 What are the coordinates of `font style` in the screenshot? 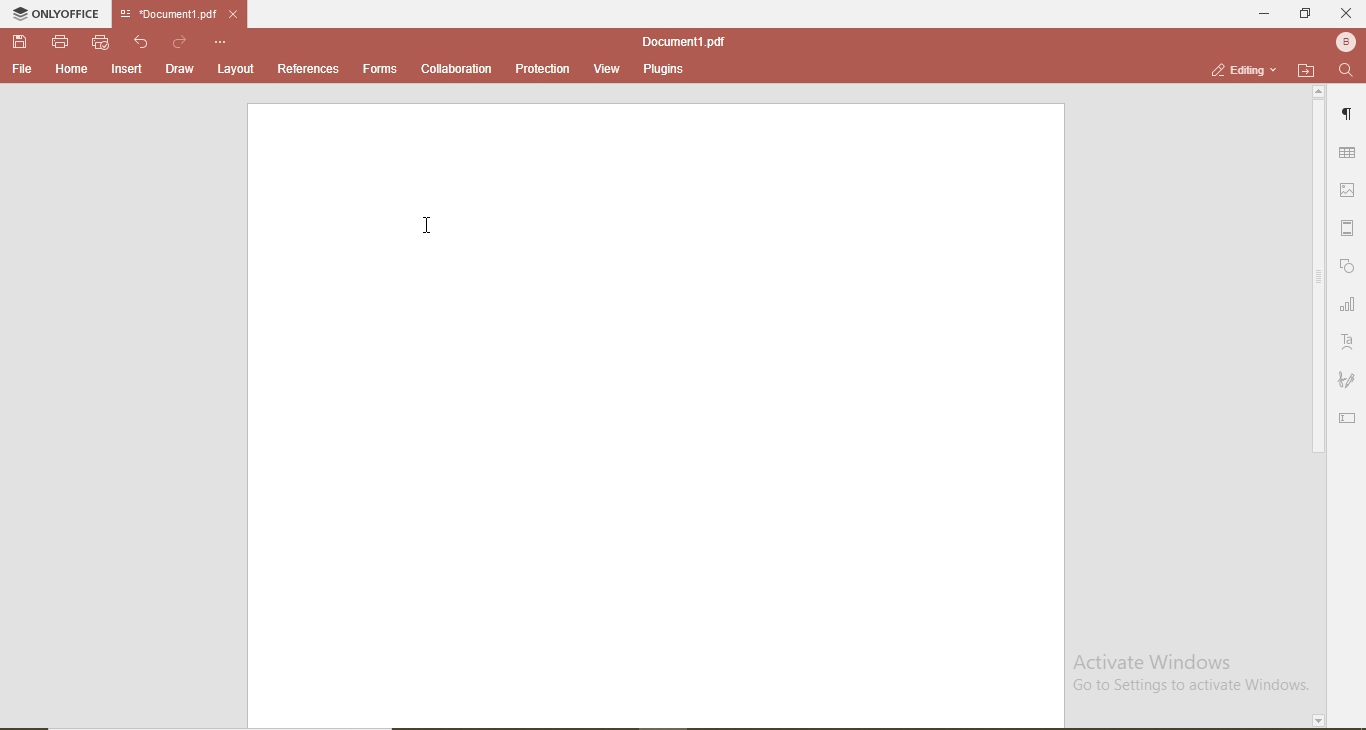 It's located at (1350, 341).